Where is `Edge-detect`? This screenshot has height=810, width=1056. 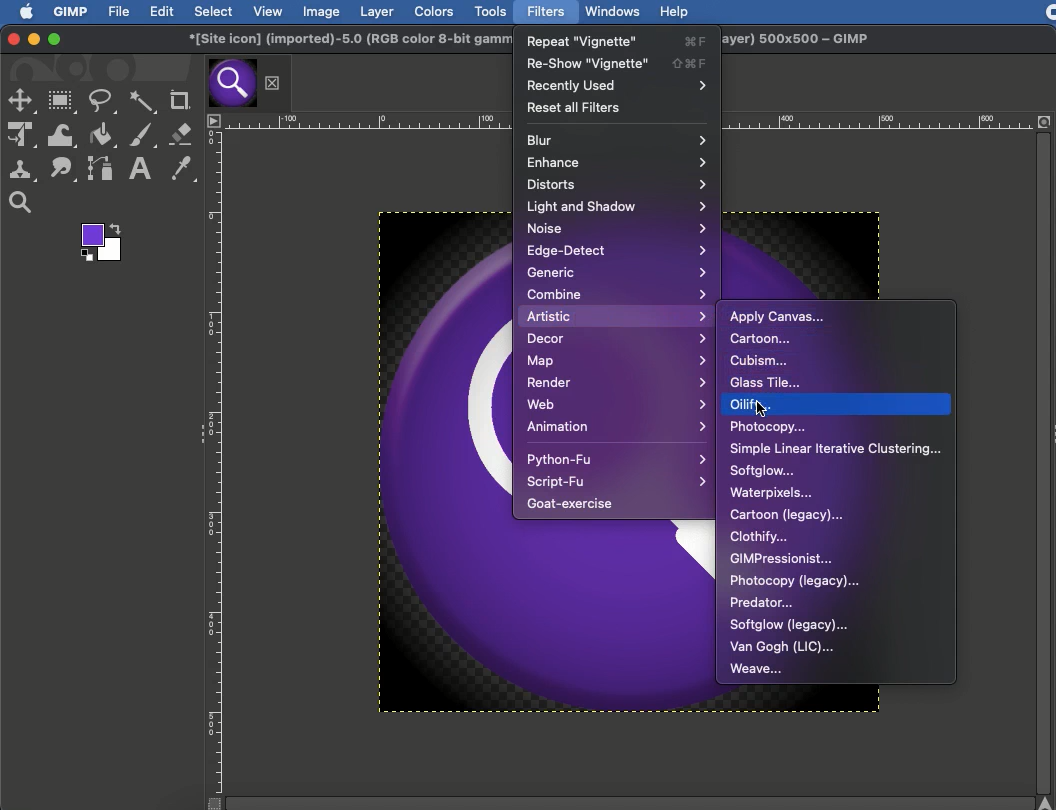
Edge-detect is located at coordinates (617, 250).